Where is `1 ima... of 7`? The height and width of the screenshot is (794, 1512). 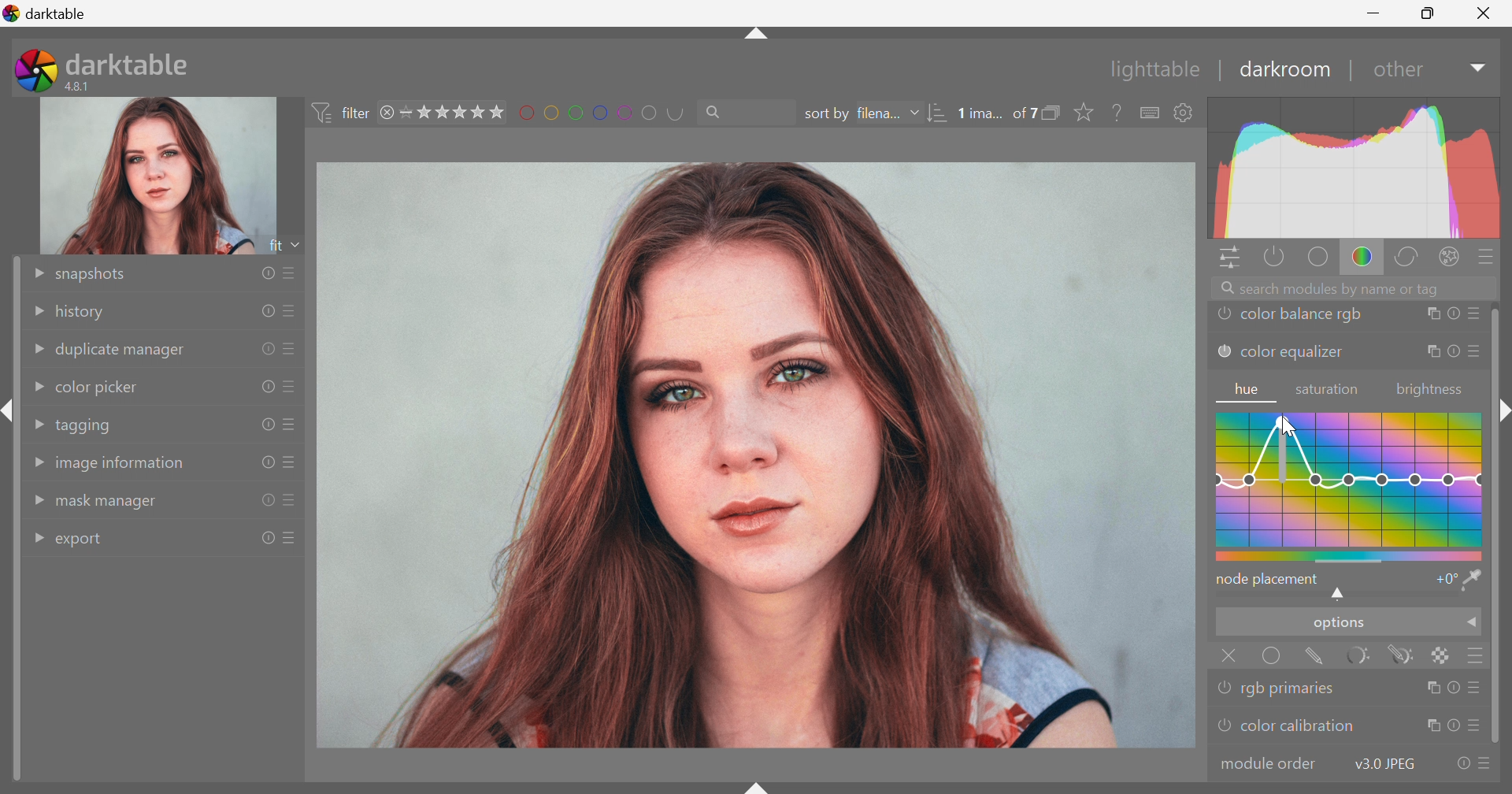 1 ima... of 7 is located at coordinates (998, 113).